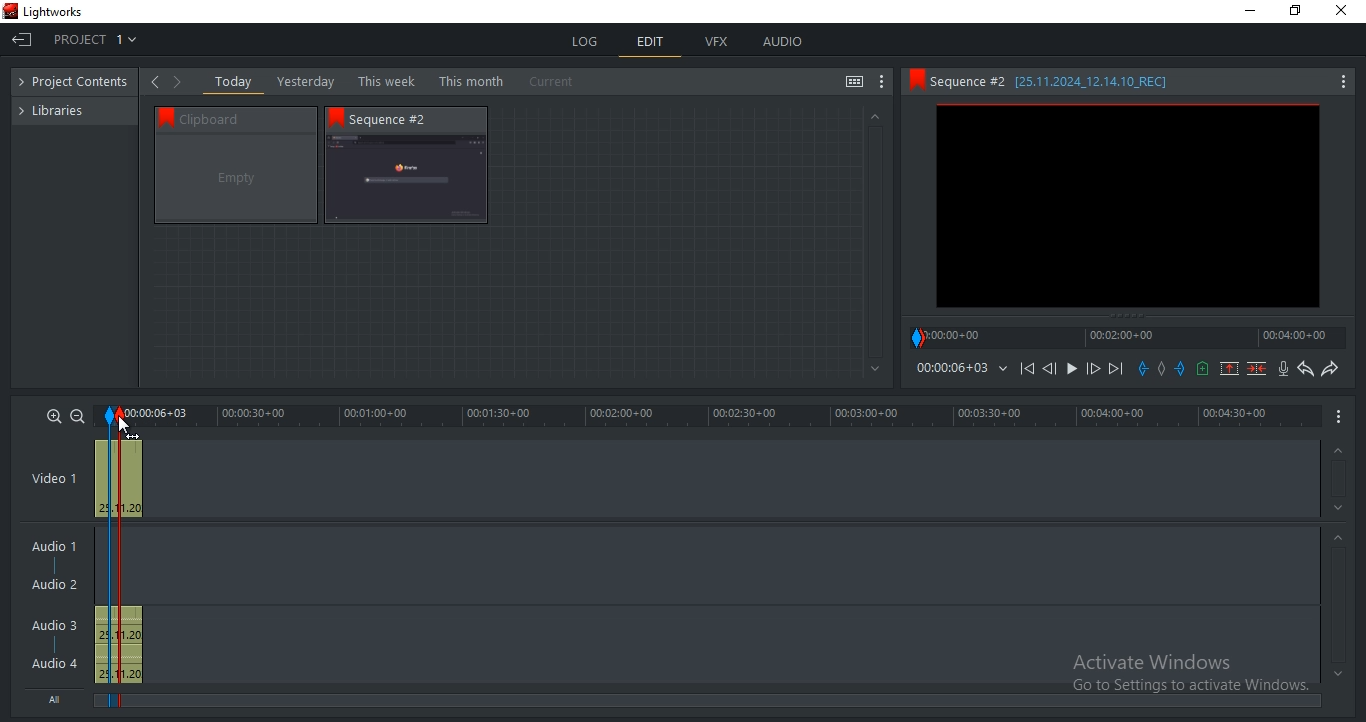 The image size is (1366, 722). Describe the element at coordinates (54, 585) in the screenshot. I see `Audio 2` at that location.